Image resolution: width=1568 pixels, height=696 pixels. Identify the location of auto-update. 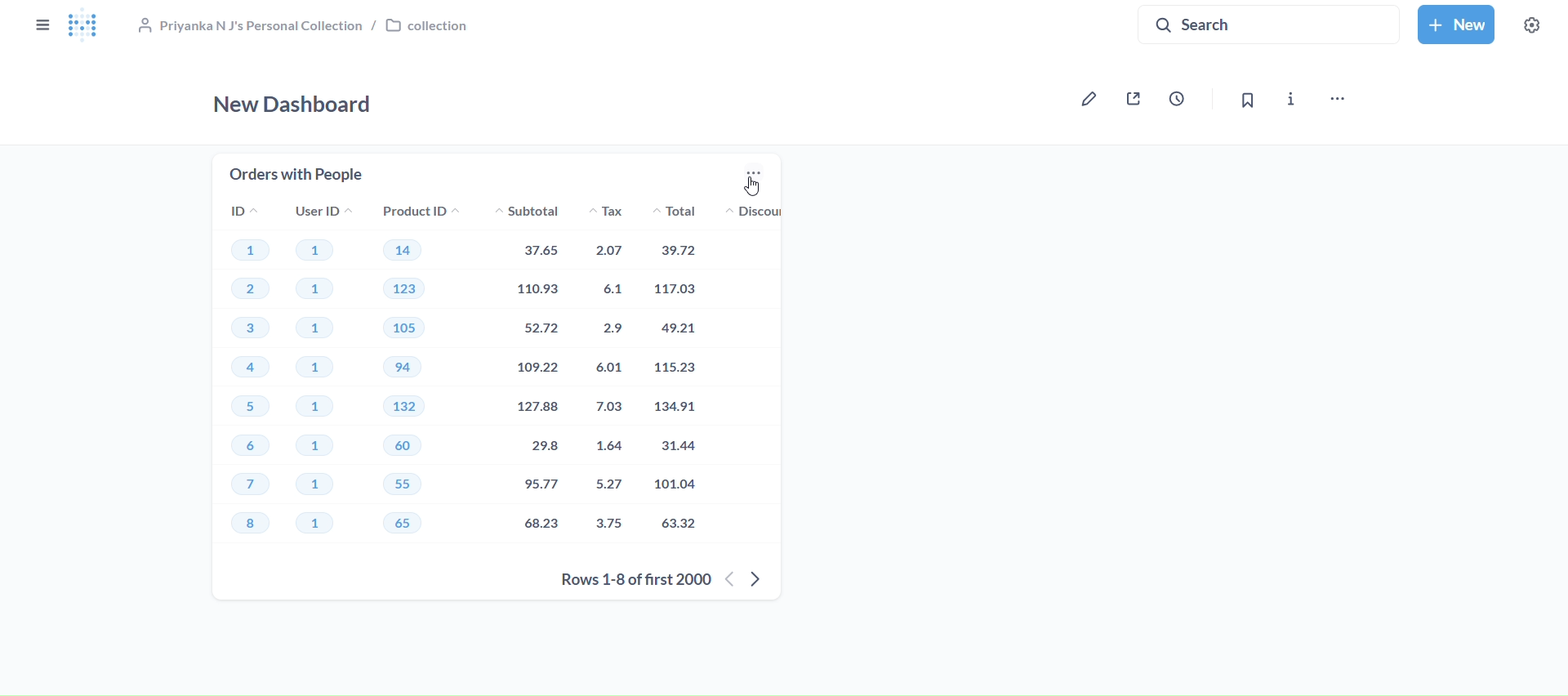
(1177, 99).